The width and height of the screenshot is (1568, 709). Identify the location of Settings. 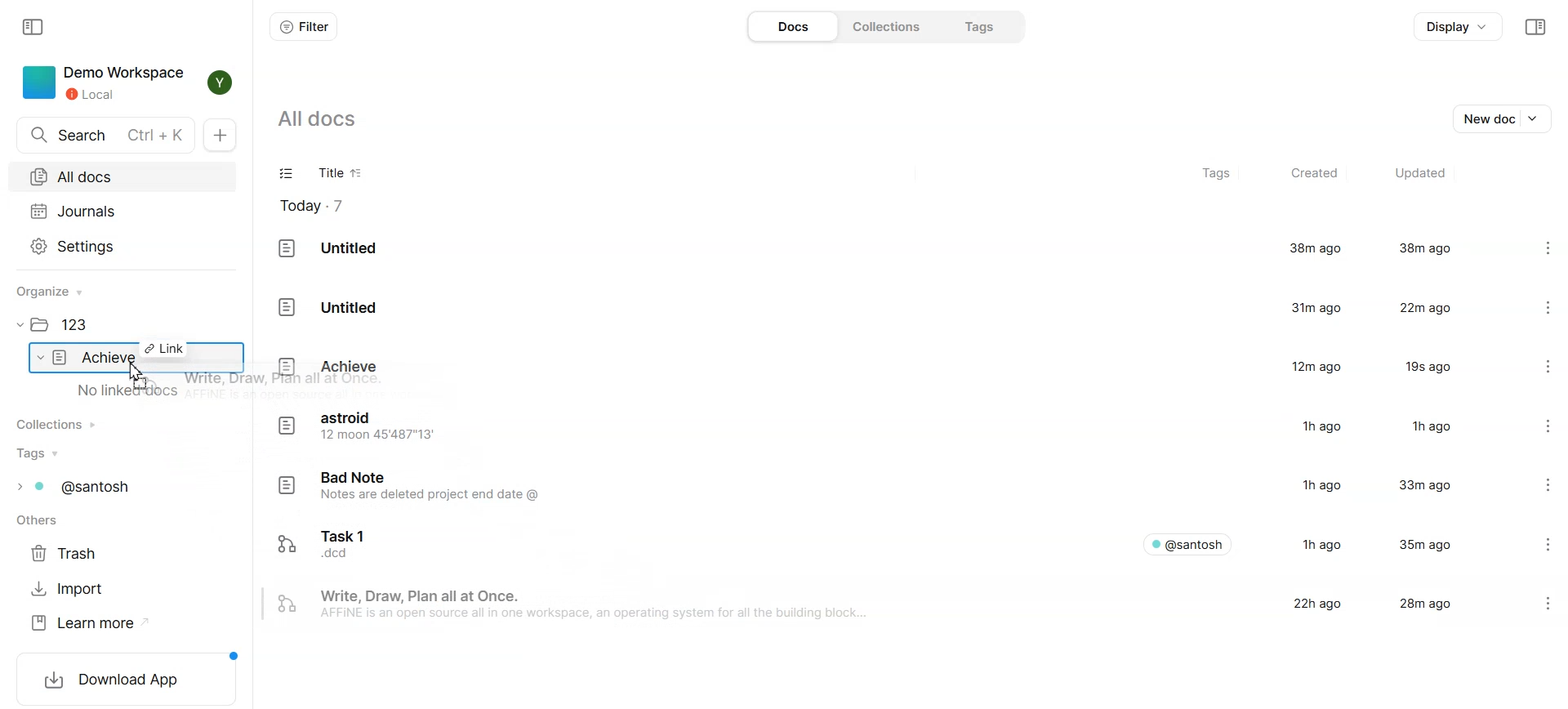
(122, 245).